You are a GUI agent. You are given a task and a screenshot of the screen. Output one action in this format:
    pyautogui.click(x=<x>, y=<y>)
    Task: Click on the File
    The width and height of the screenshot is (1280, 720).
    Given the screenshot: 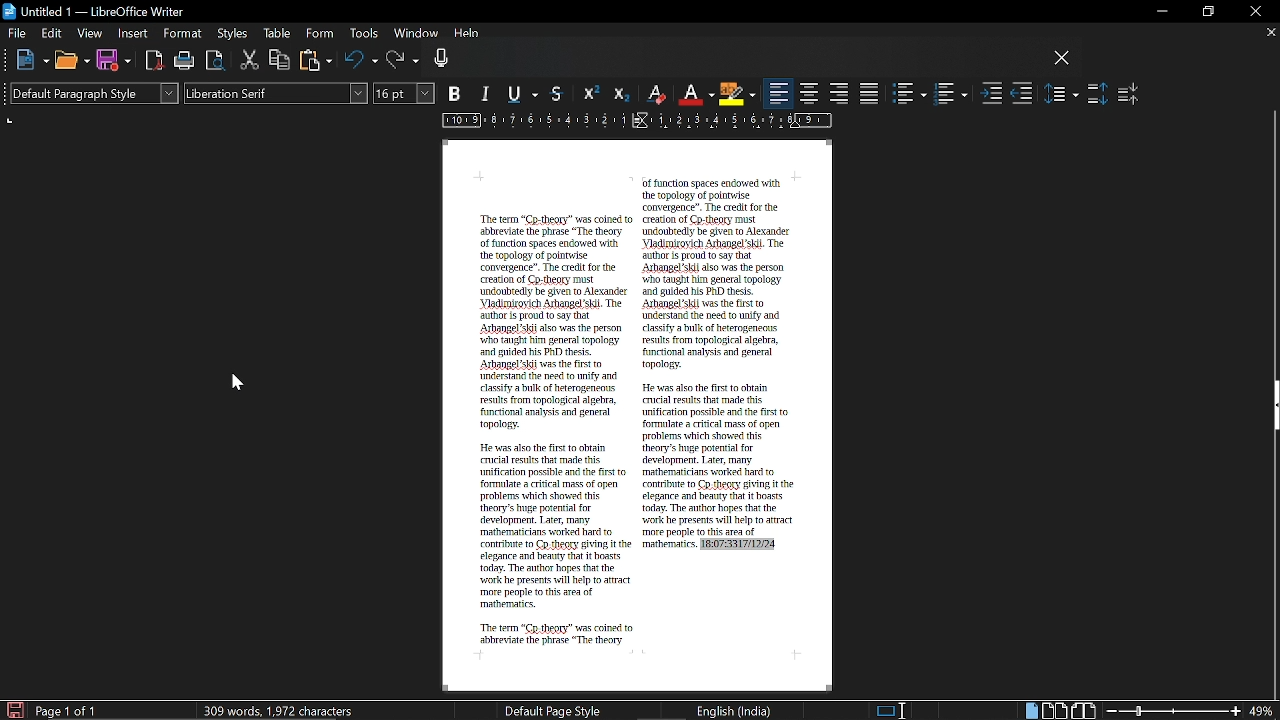 What is the action you would take?
    pyautogui.click(x=17, y=32)
    